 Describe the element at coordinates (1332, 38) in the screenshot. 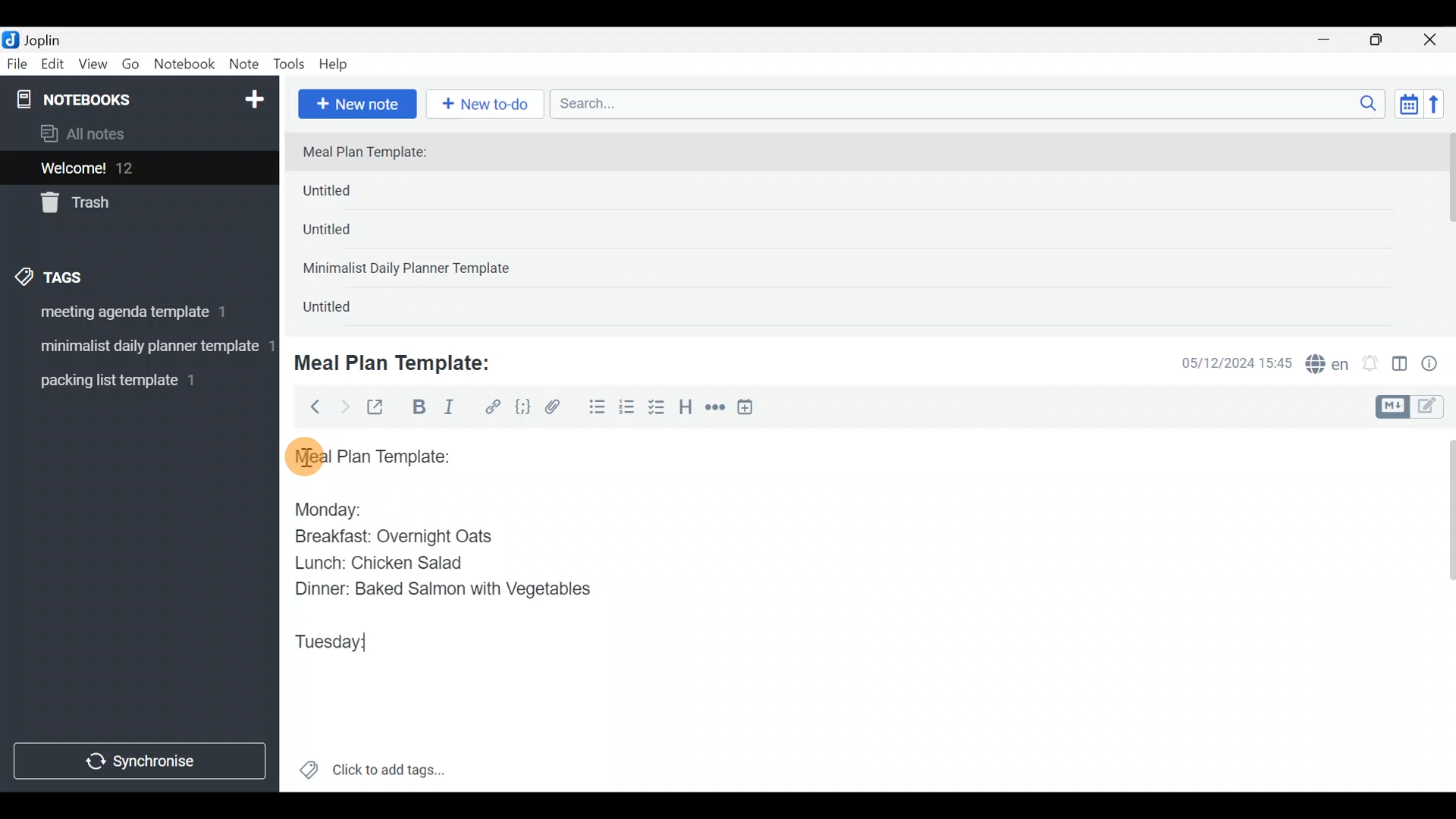

I see `Minimize` at that location.